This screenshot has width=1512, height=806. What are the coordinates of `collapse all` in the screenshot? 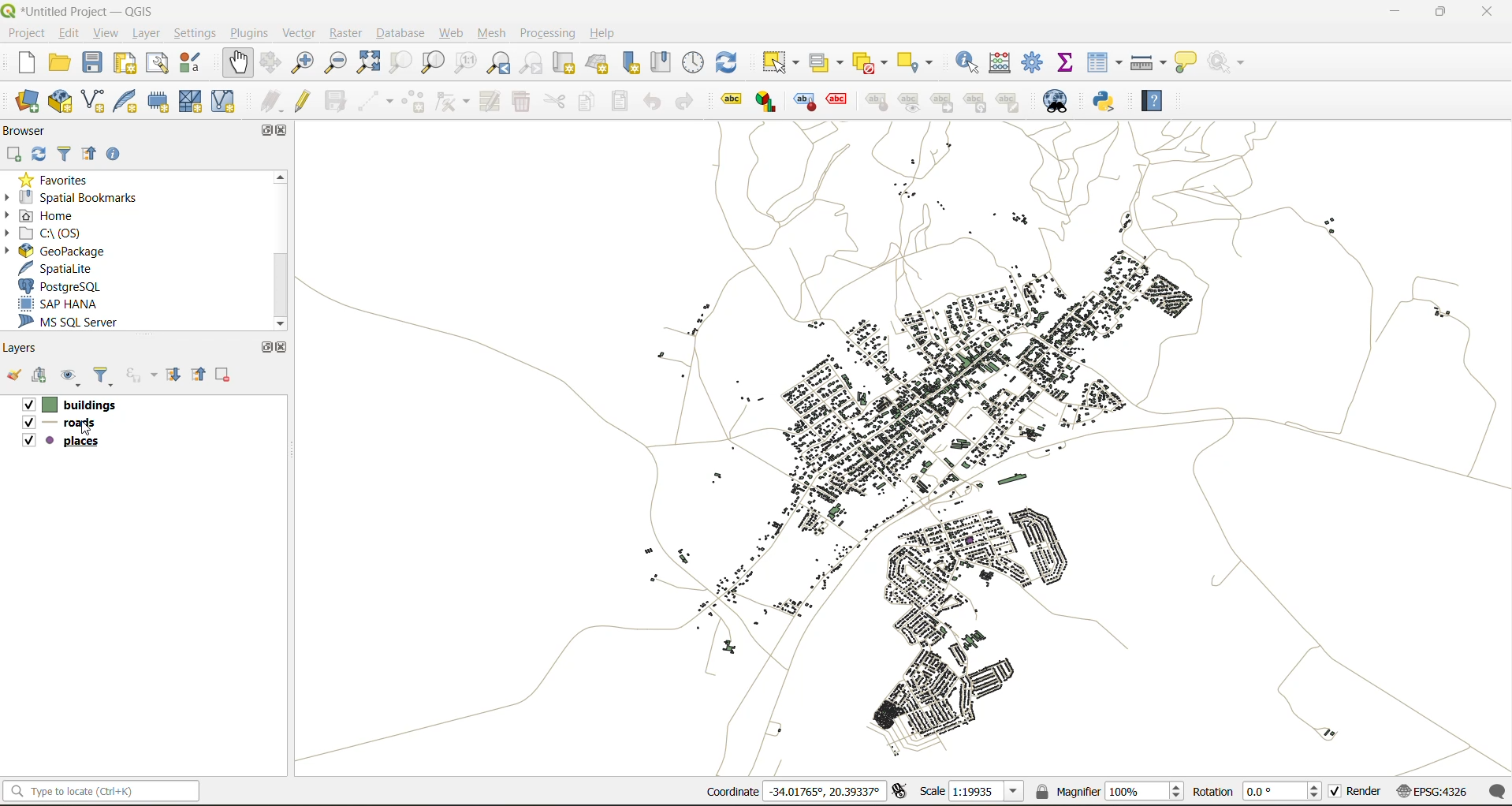 It's located at (90, 155).